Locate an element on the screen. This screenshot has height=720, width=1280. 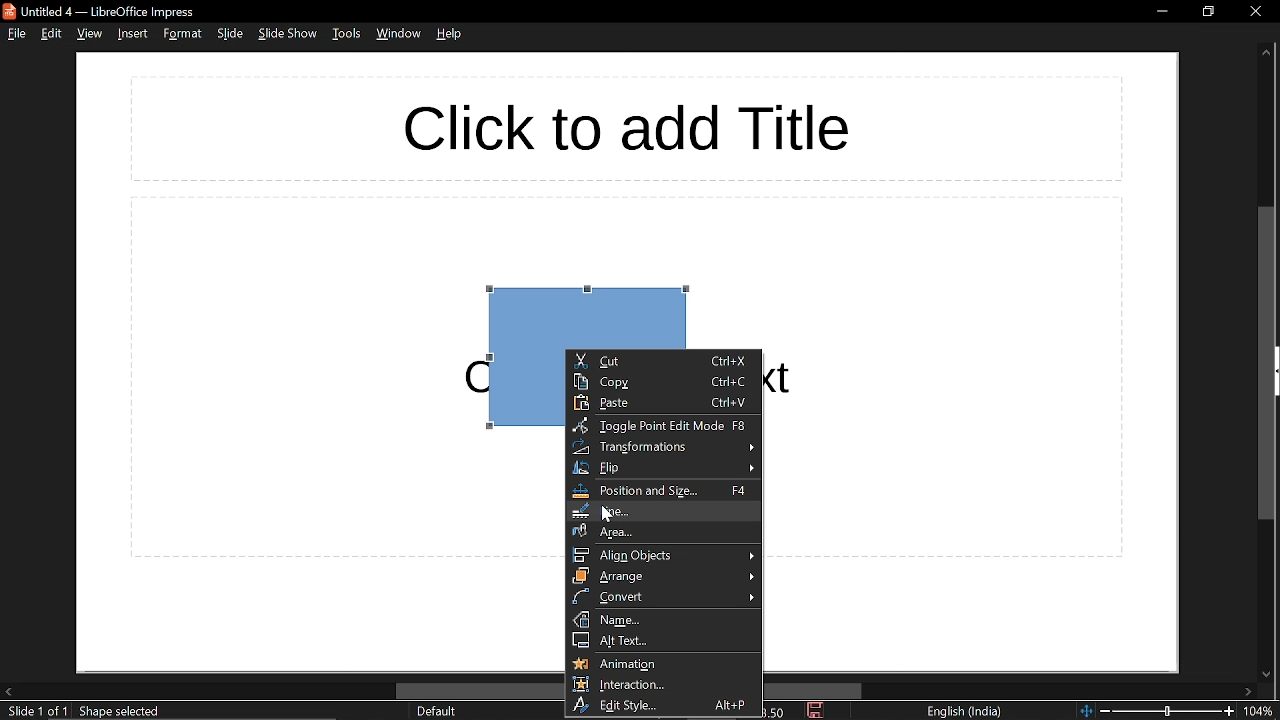
restore down is located at coordinates (1208, 11).